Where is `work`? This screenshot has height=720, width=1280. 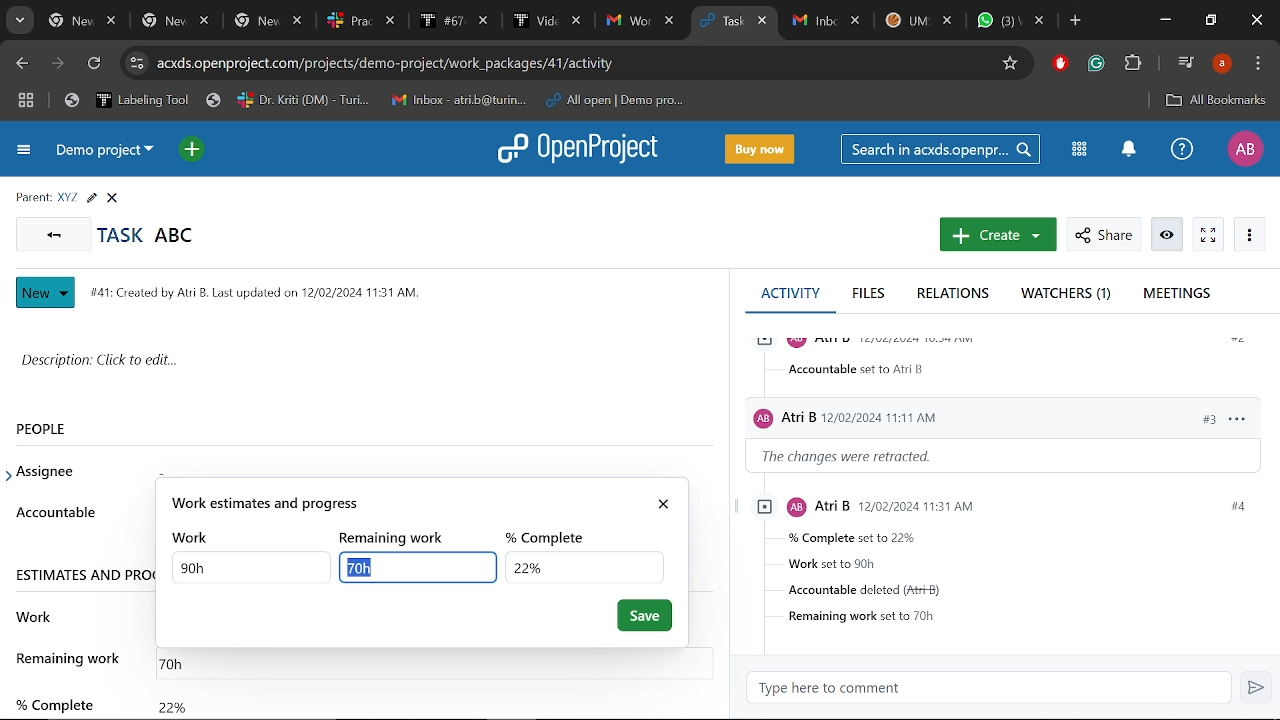 work is located at coordinates (35, 614).